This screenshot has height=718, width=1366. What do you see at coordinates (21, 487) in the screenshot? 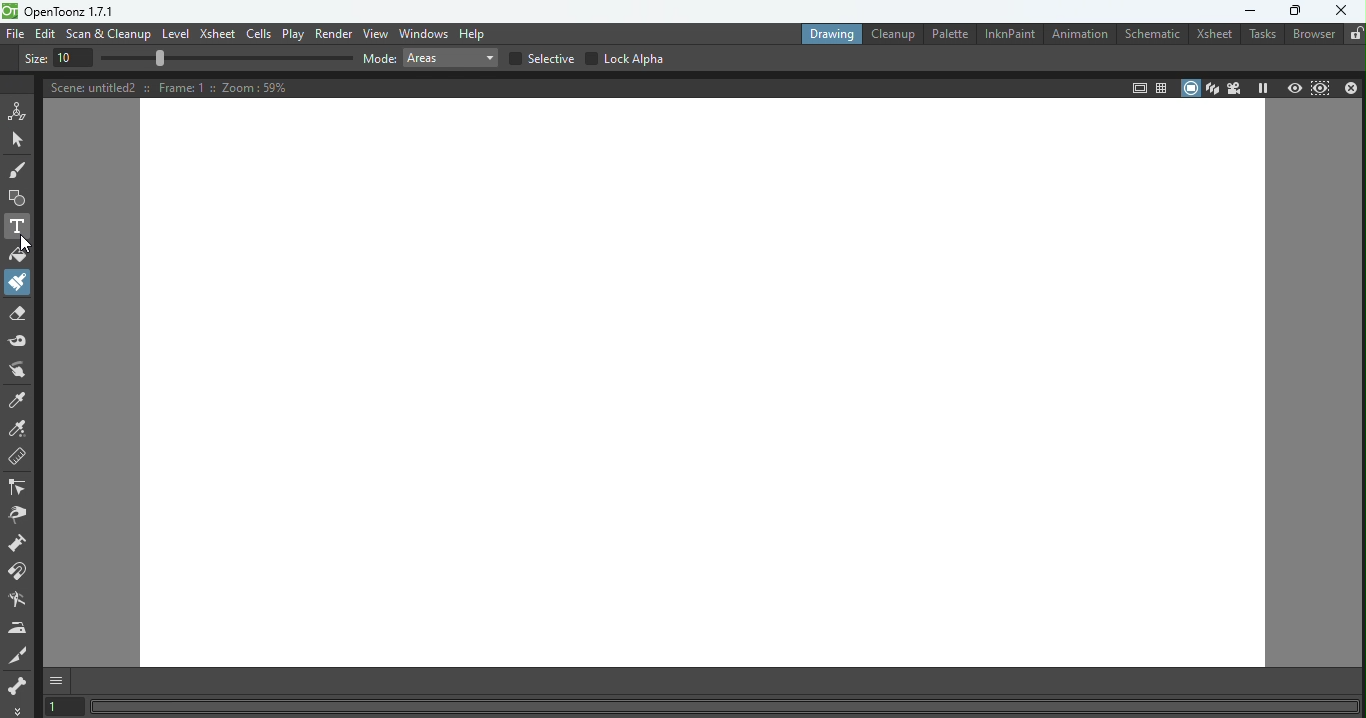
I see `Control point editor tool` at bounding box center [21, 487].